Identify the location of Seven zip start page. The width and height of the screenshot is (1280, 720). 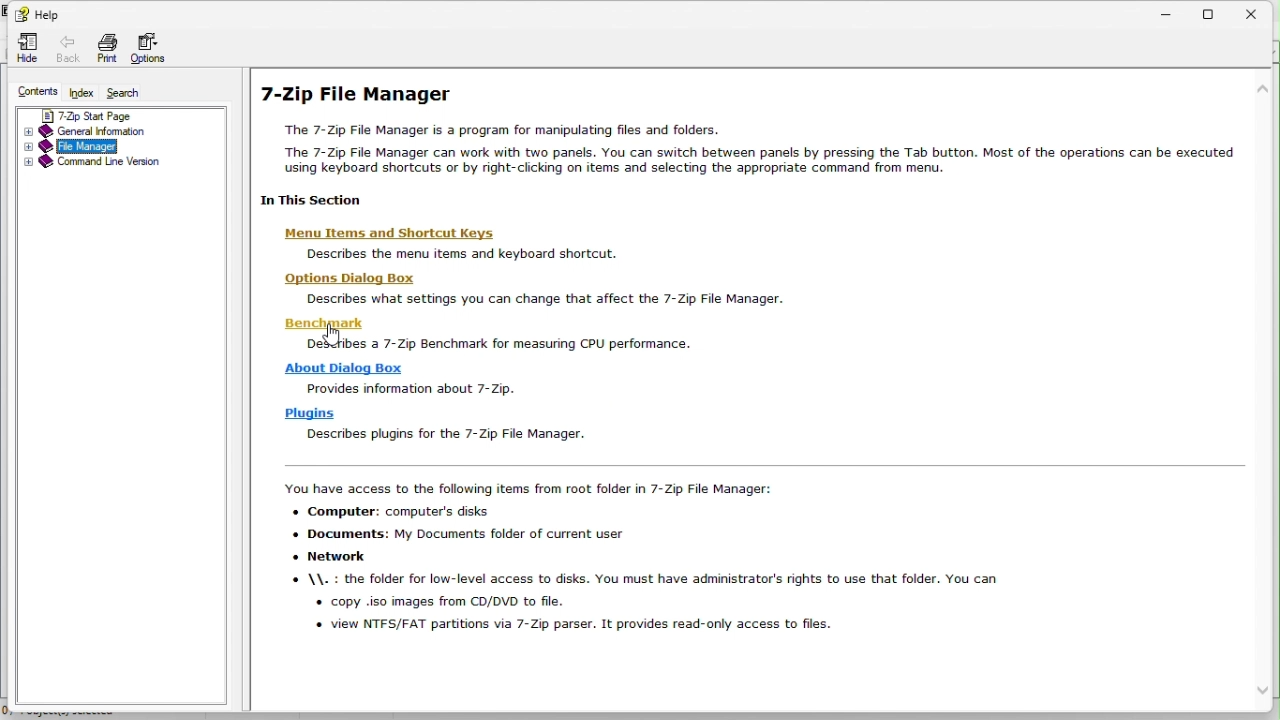
(119, 113).